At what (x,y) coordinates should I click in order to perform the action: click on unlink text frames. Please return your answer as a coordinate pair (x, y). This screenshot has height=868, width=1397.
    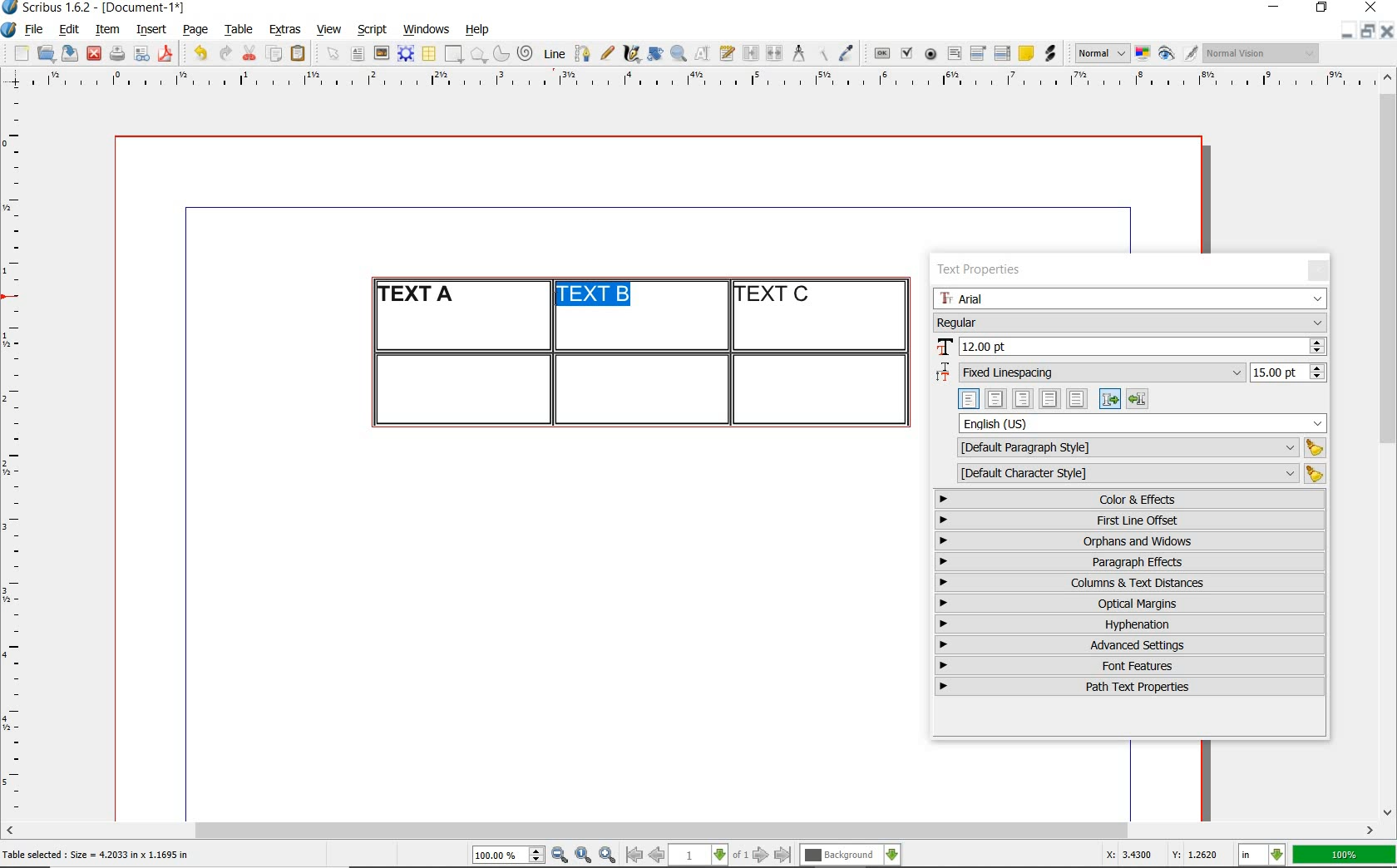
    Looking at the image, I should click on (774, 54).